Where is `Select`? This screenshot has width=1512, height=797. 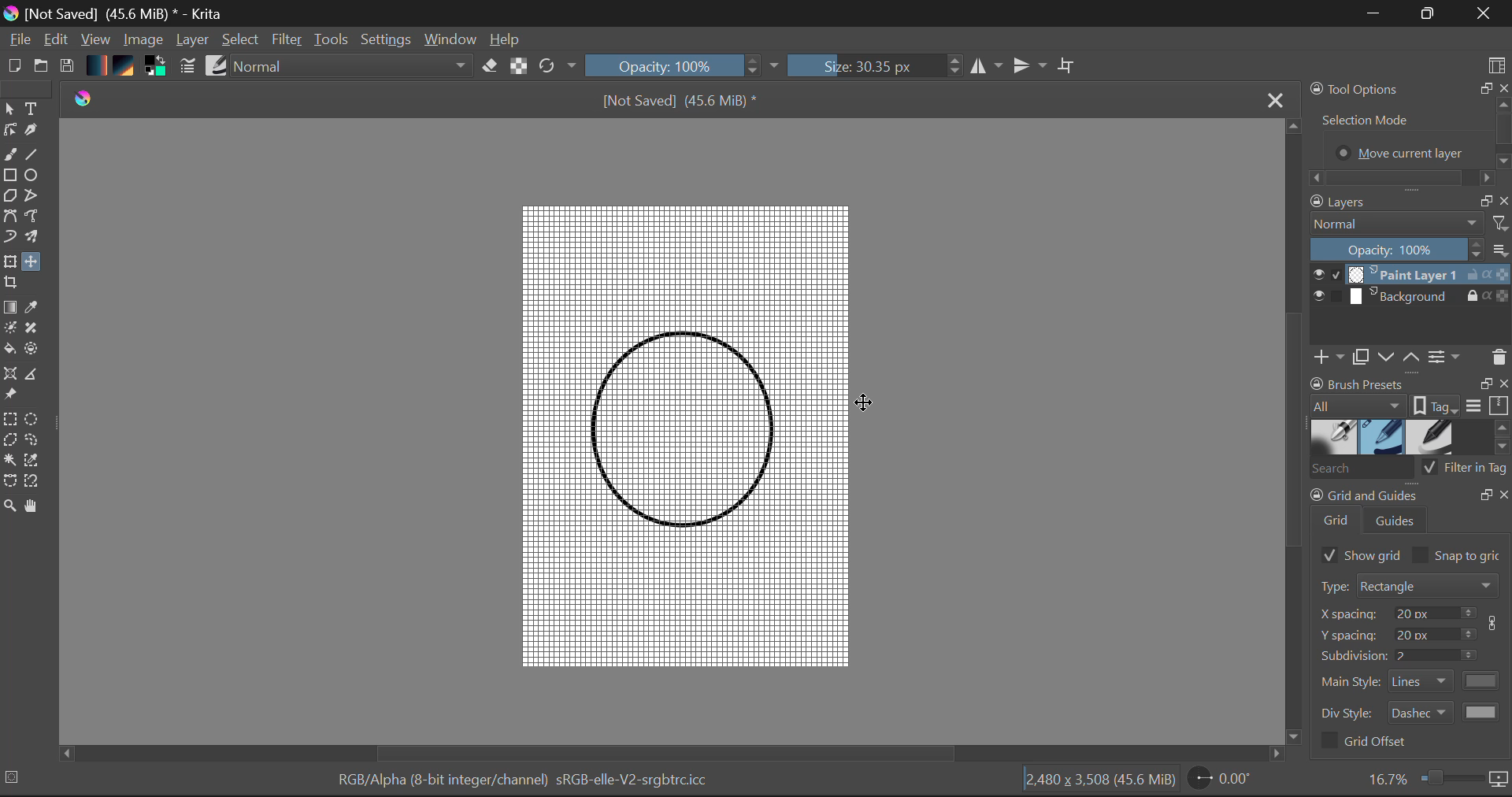
Select is located at coordinates (10, 109).